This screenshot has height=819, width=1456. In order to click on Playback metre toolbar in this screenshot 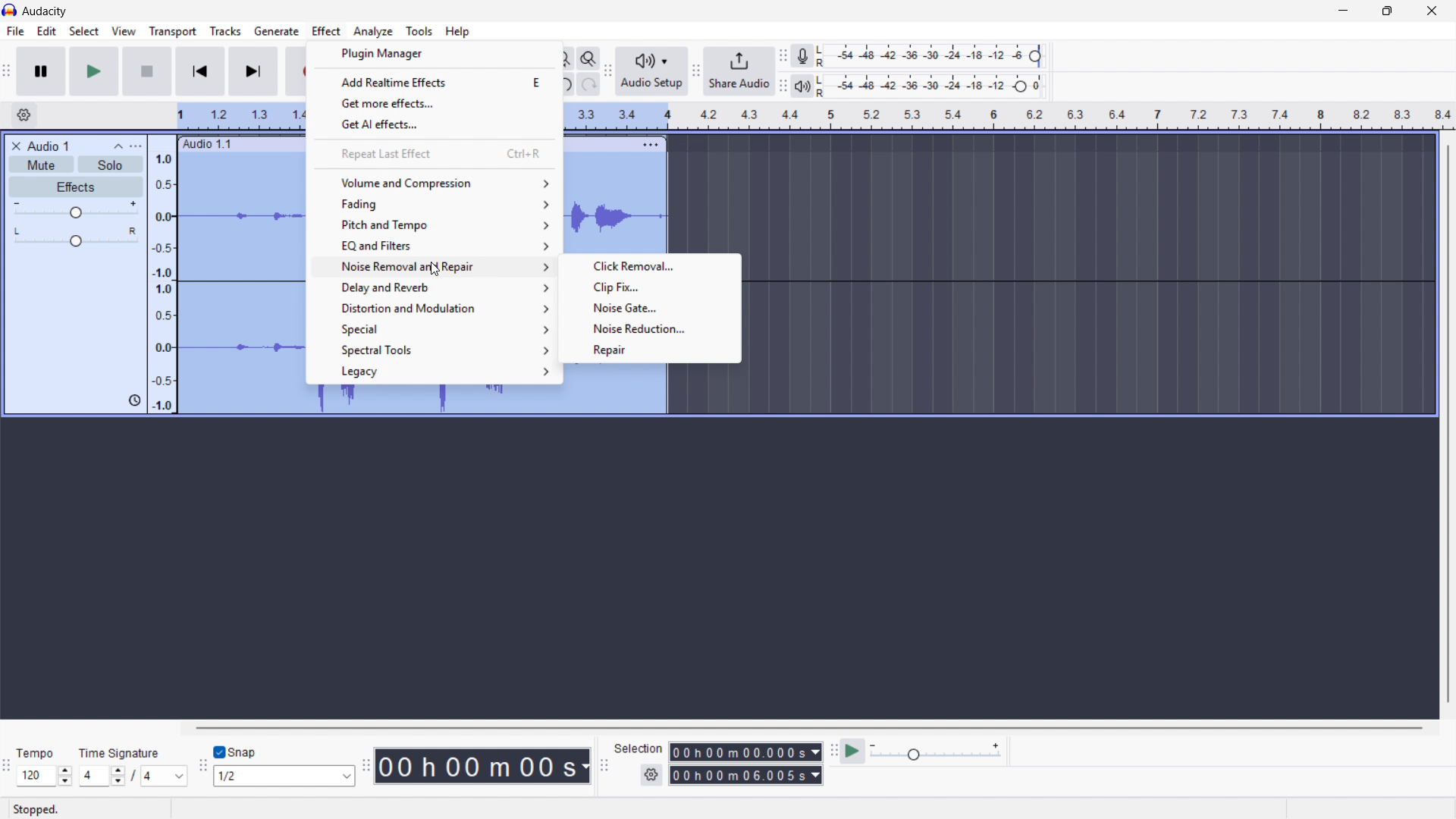, I will do `click(783, 86)`.